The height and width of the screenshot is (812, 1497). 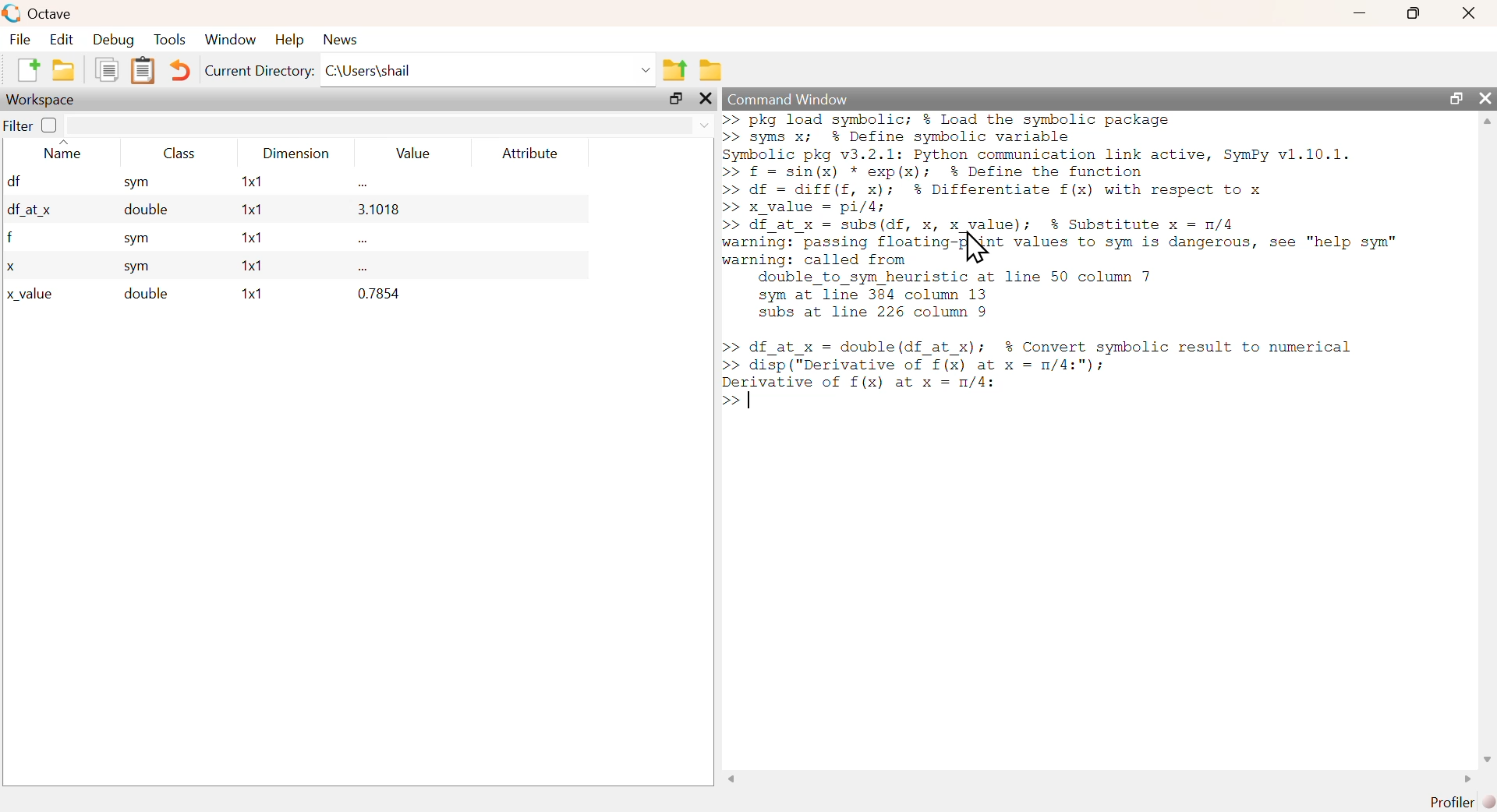 What do you see at coordinates (710, 72) in the screenshot?
I see `Browse directories` at bounding box center [710, 72].